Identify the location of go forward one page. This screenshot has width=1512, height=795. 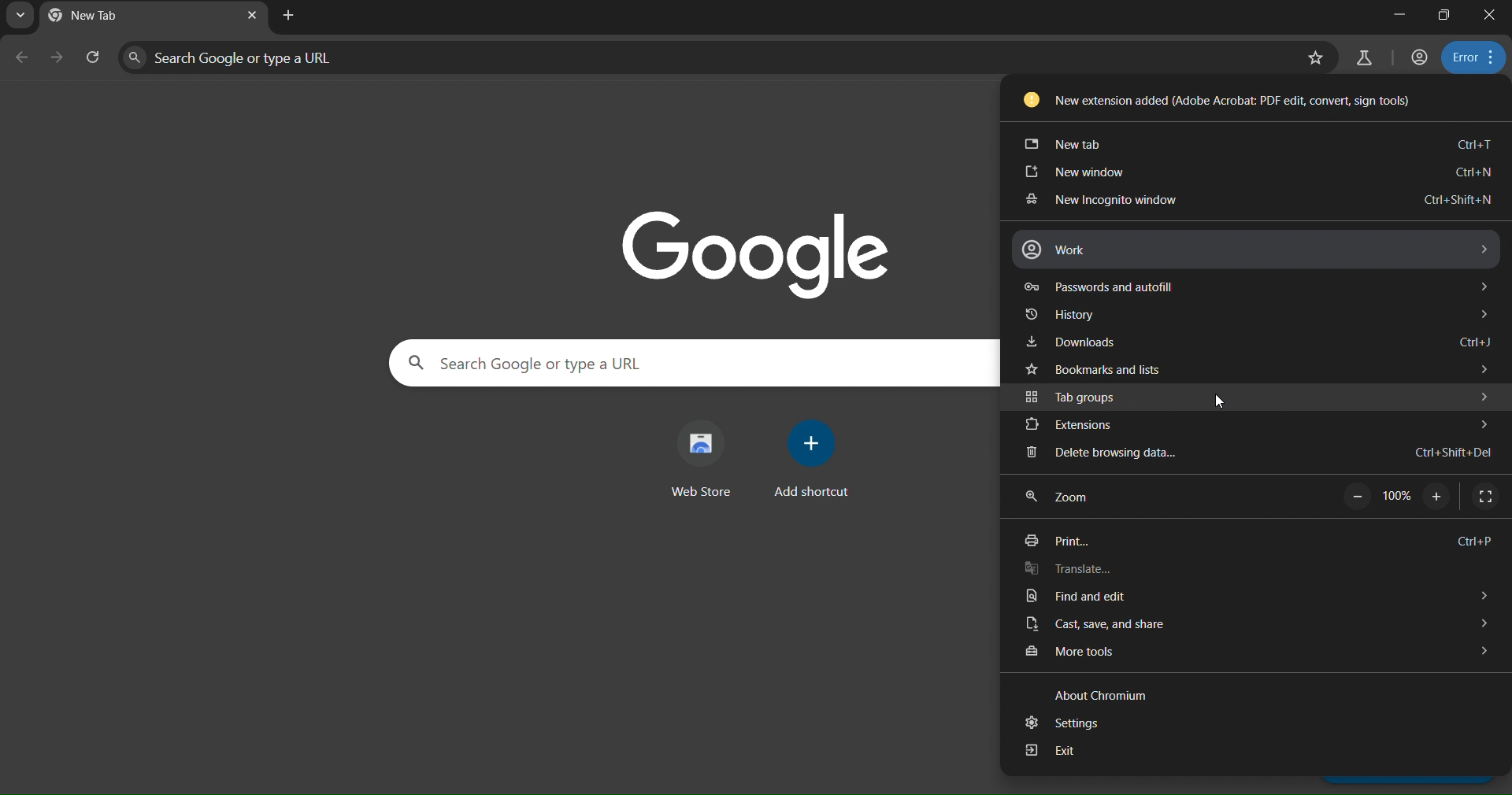
(56, 59).